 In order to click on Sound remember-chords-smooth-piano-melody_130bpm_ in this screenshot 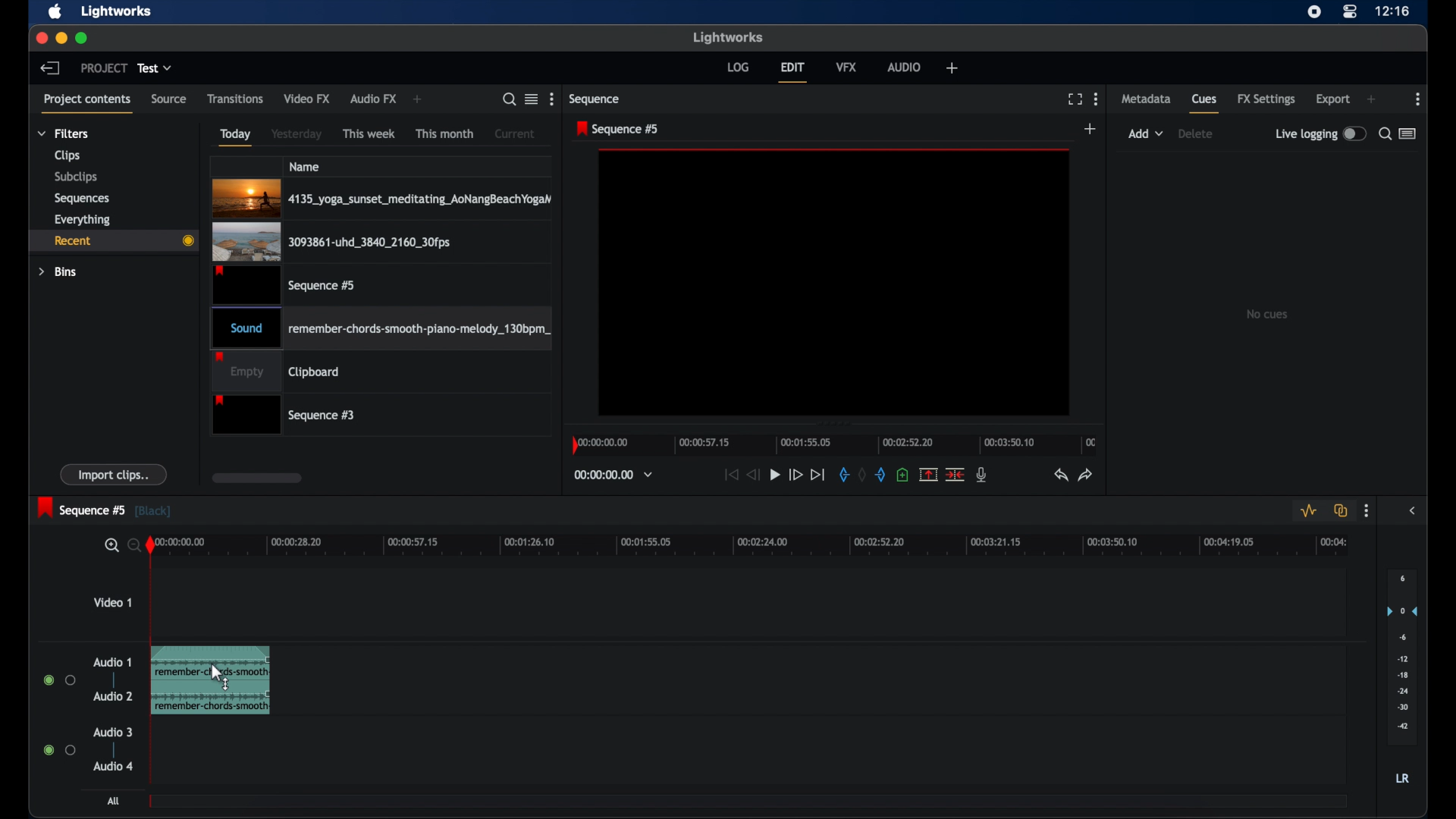, I will do `click(375, 329)`.